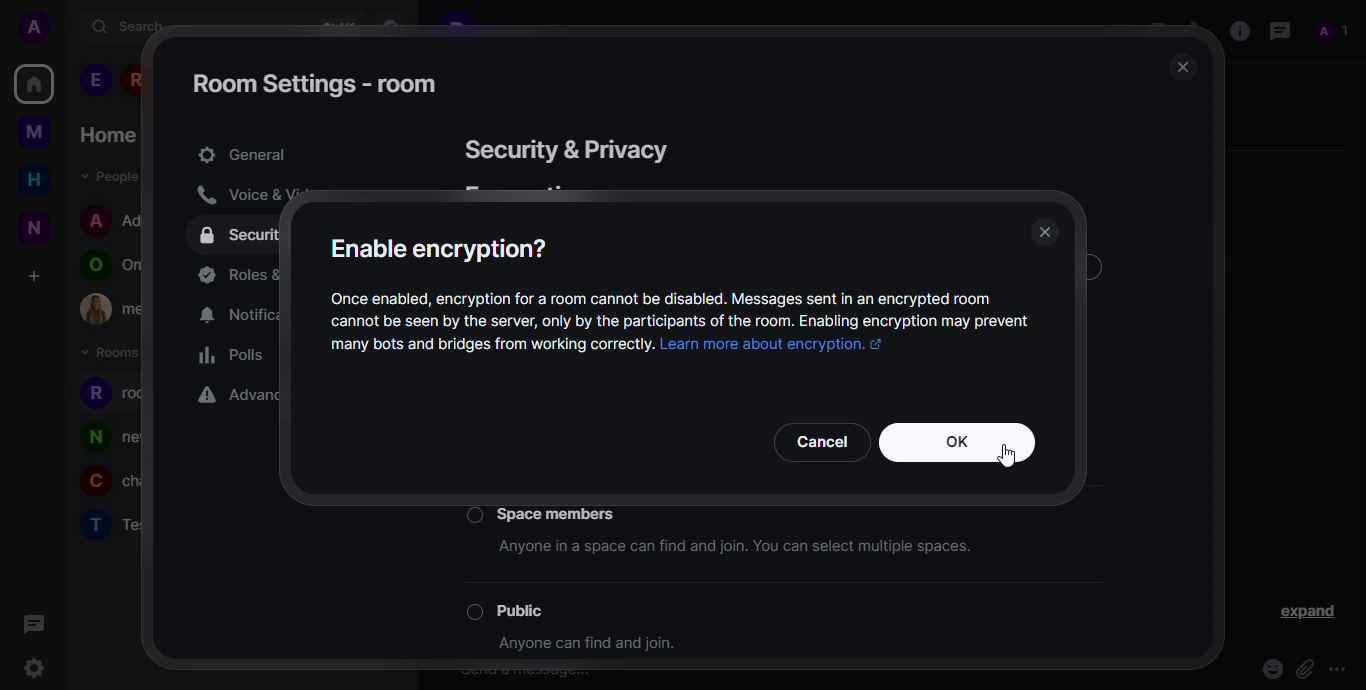  What do you see at coordinates (34, 83) in the screenshot?
I see `home` at bounding box center [34, 83].